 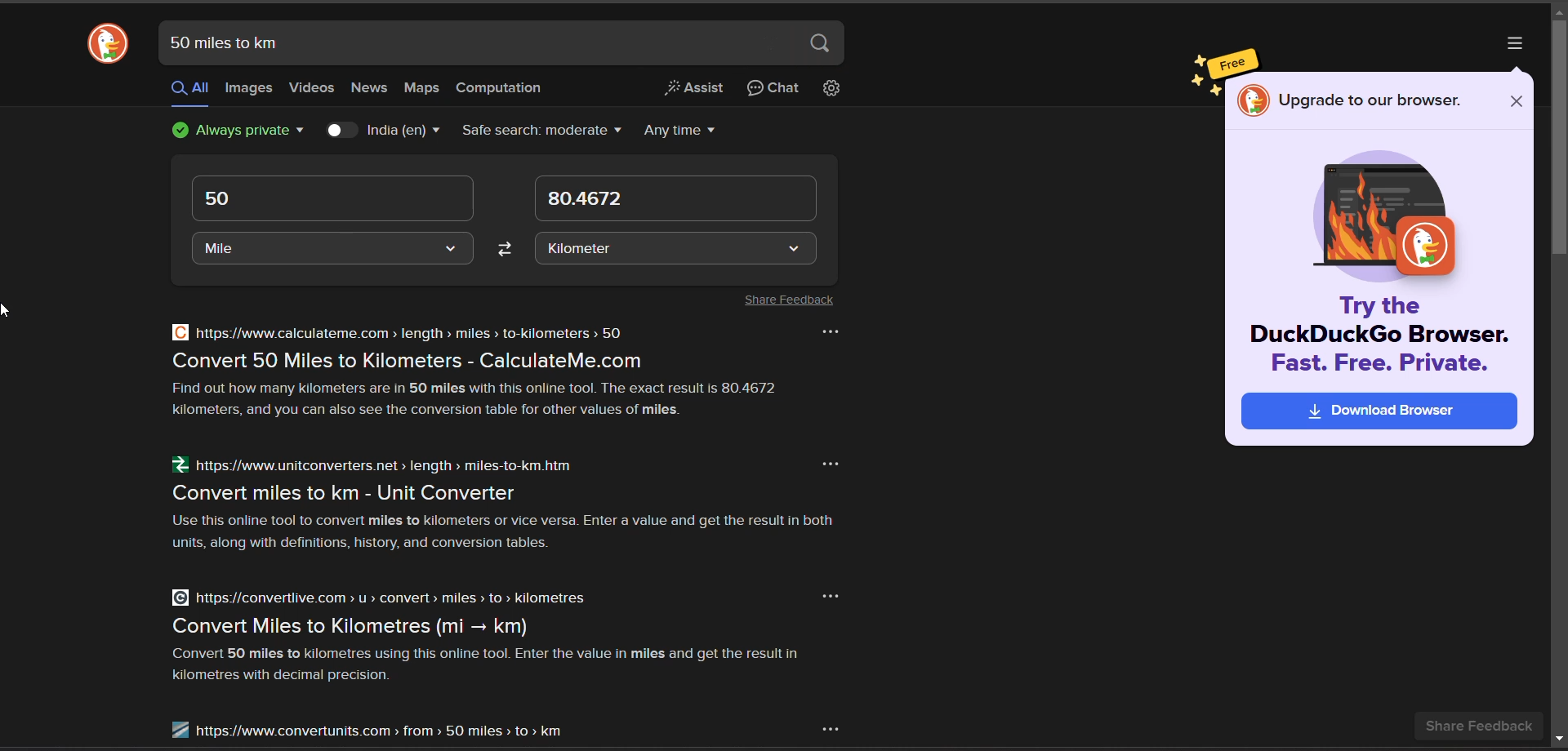 I want to click on maps, so click(x=425, y=88).